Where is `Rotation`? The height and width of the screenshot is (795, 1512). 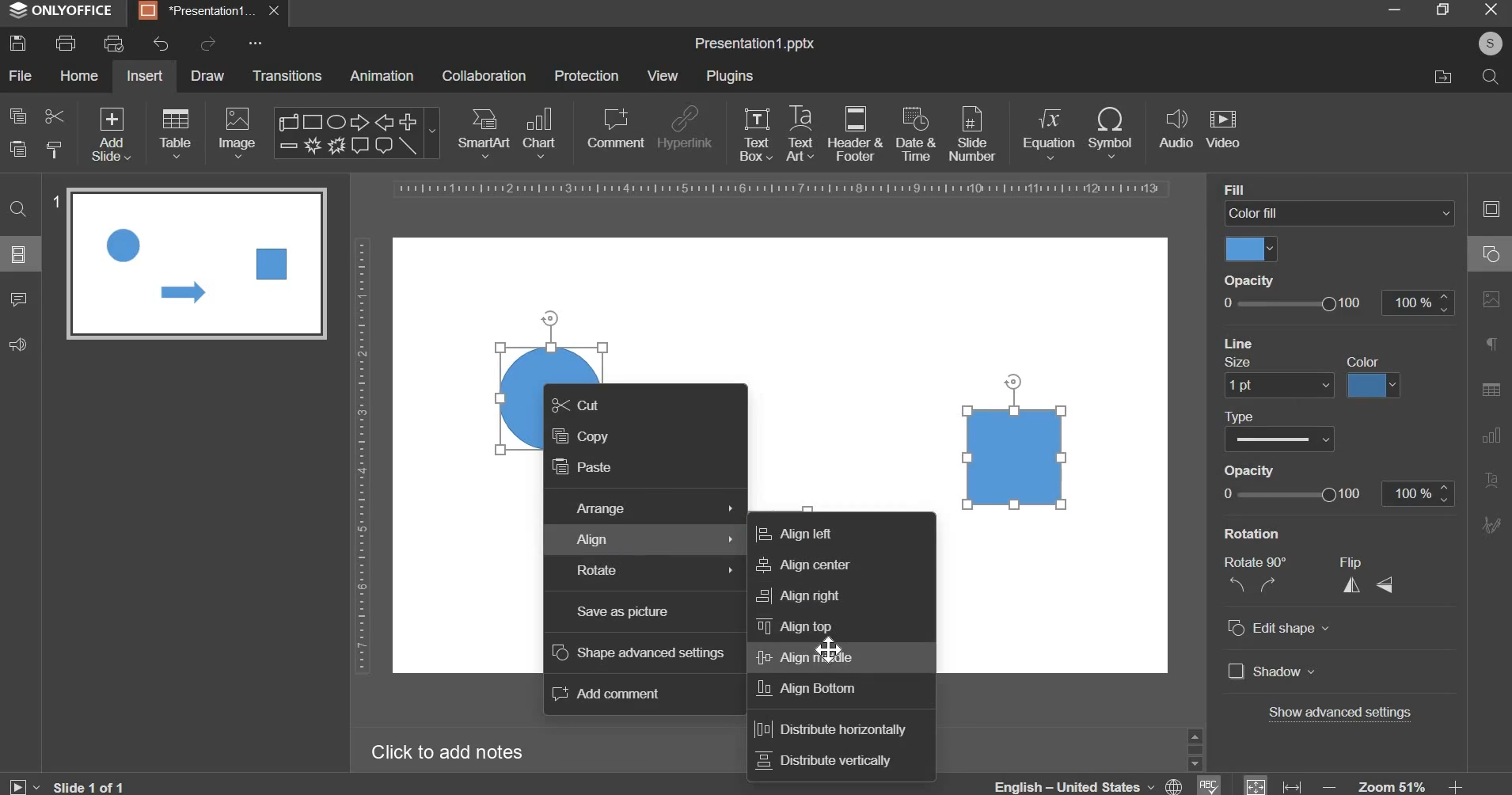 Rotation is located at coordinates (1262, 533).